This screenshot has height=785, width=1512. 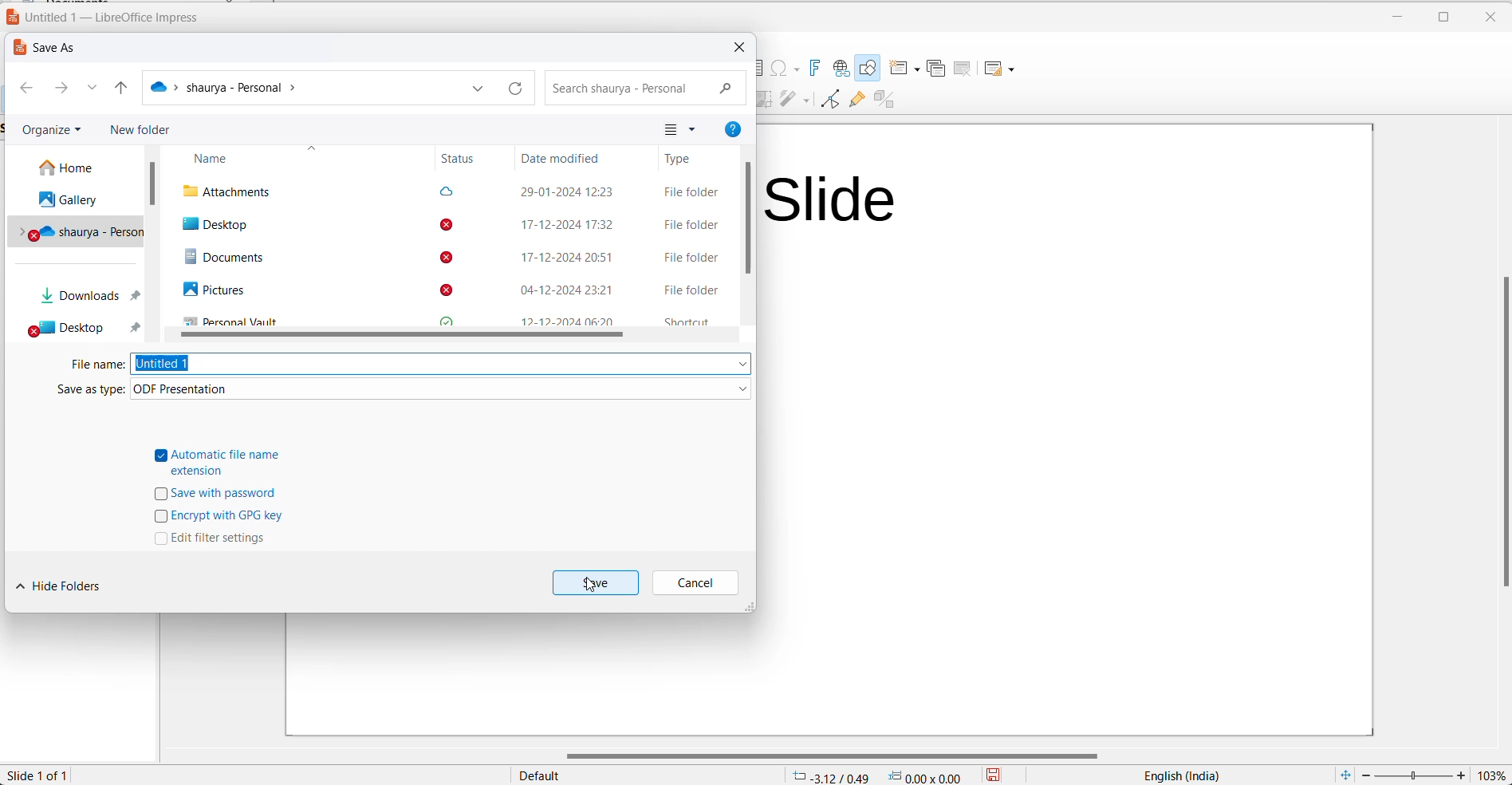 I want to click on zoom percentage, so click(x=1492, y=775).